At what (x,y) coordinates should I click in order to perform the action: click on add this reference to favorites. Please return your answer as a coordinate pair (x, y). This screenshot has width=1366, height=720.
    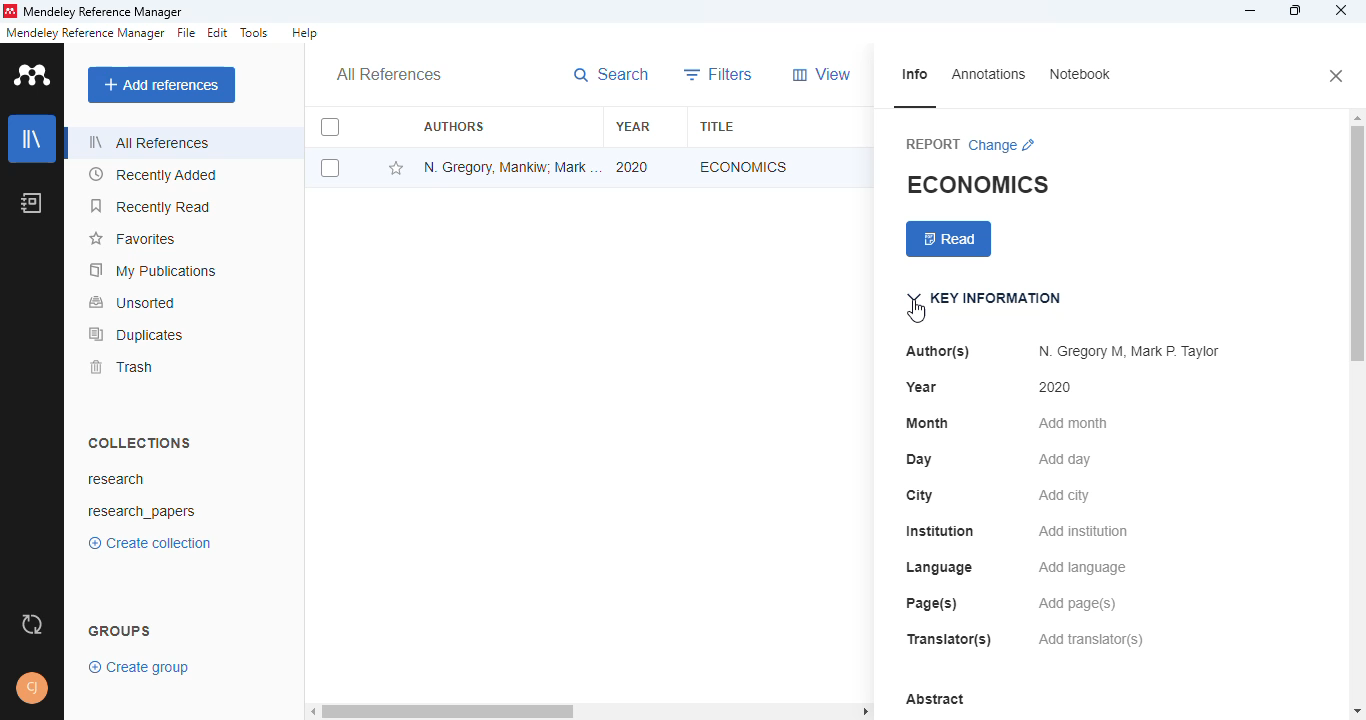
    Looking at the image, I should click on (396, 168).